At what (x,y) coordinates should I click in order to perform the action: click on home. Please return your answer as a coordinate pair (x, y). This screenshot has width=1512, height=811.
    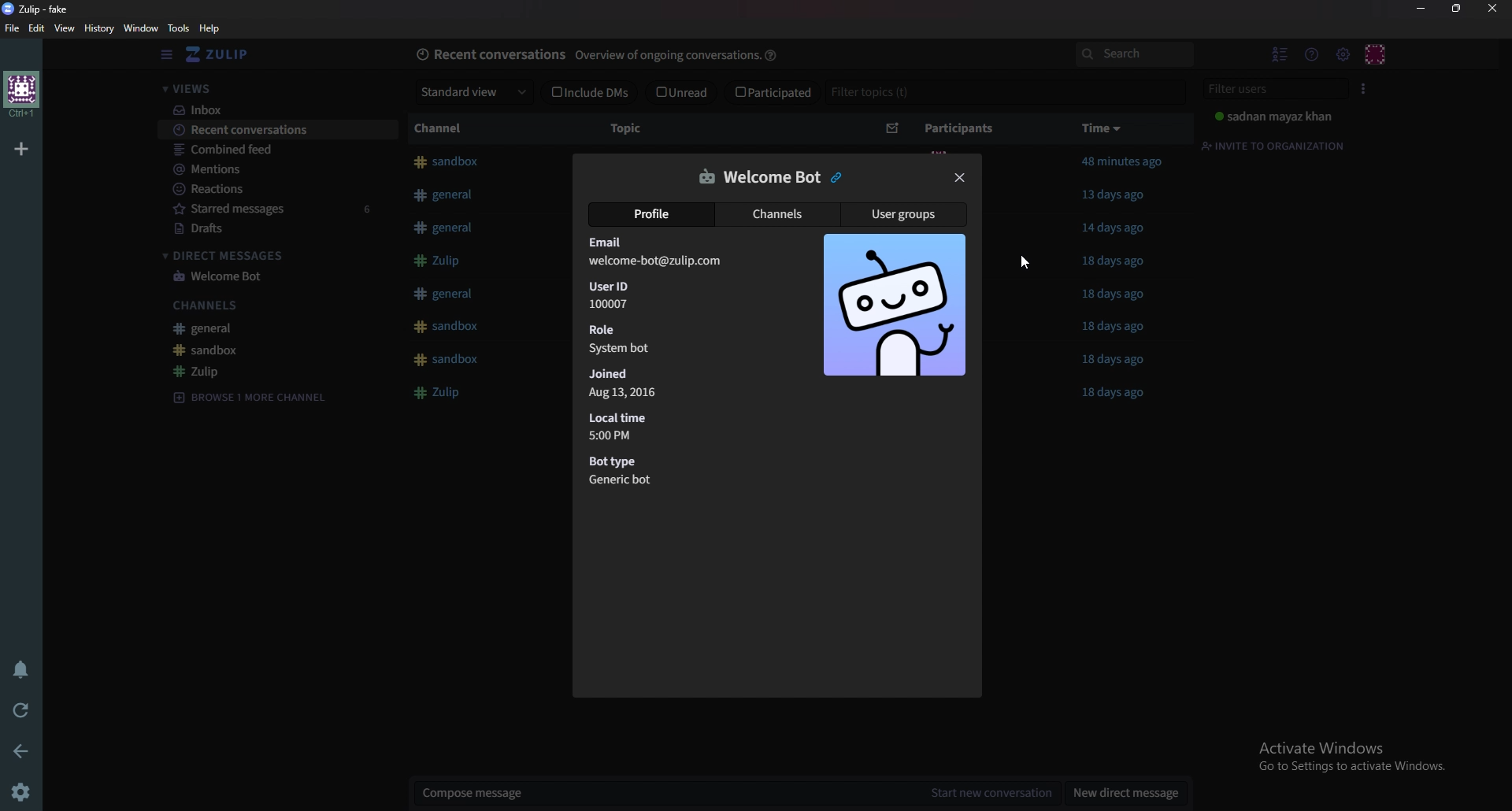
    Looking at the image, I should click on (20, 94).